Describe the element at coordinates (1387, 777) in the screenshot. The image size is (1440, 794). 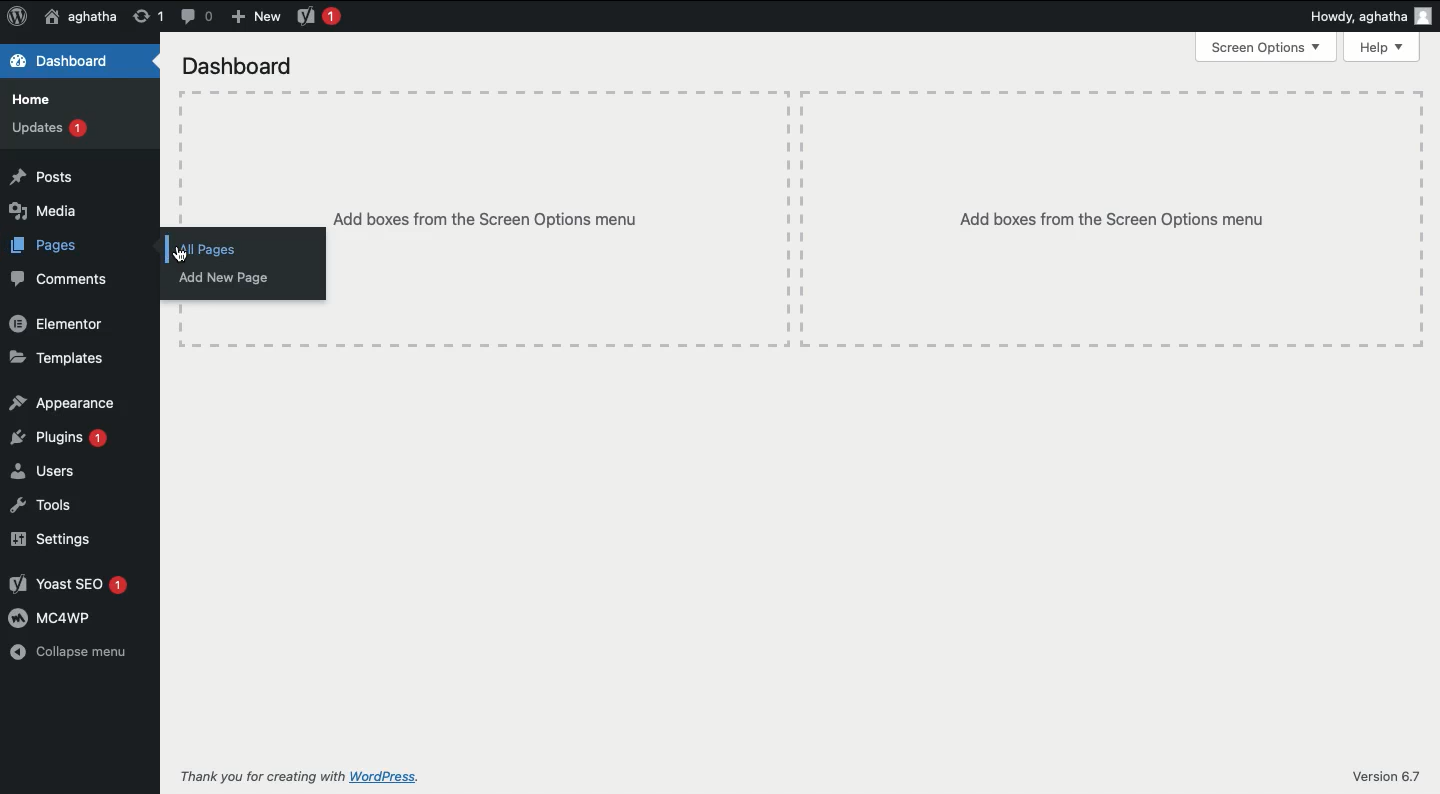
I see `Version 6.7` at that location.